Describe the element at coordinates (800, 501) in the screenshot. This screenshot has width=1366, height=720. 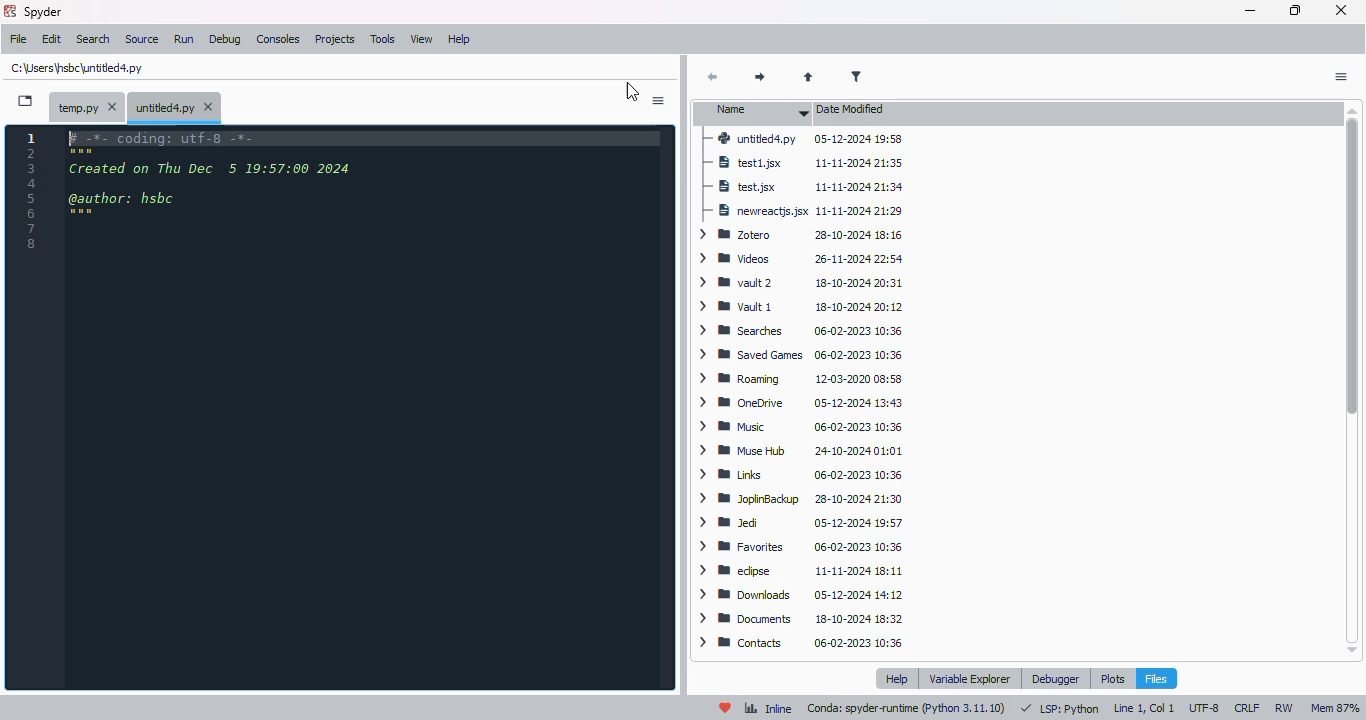
I see `Muse Hub` at that location.